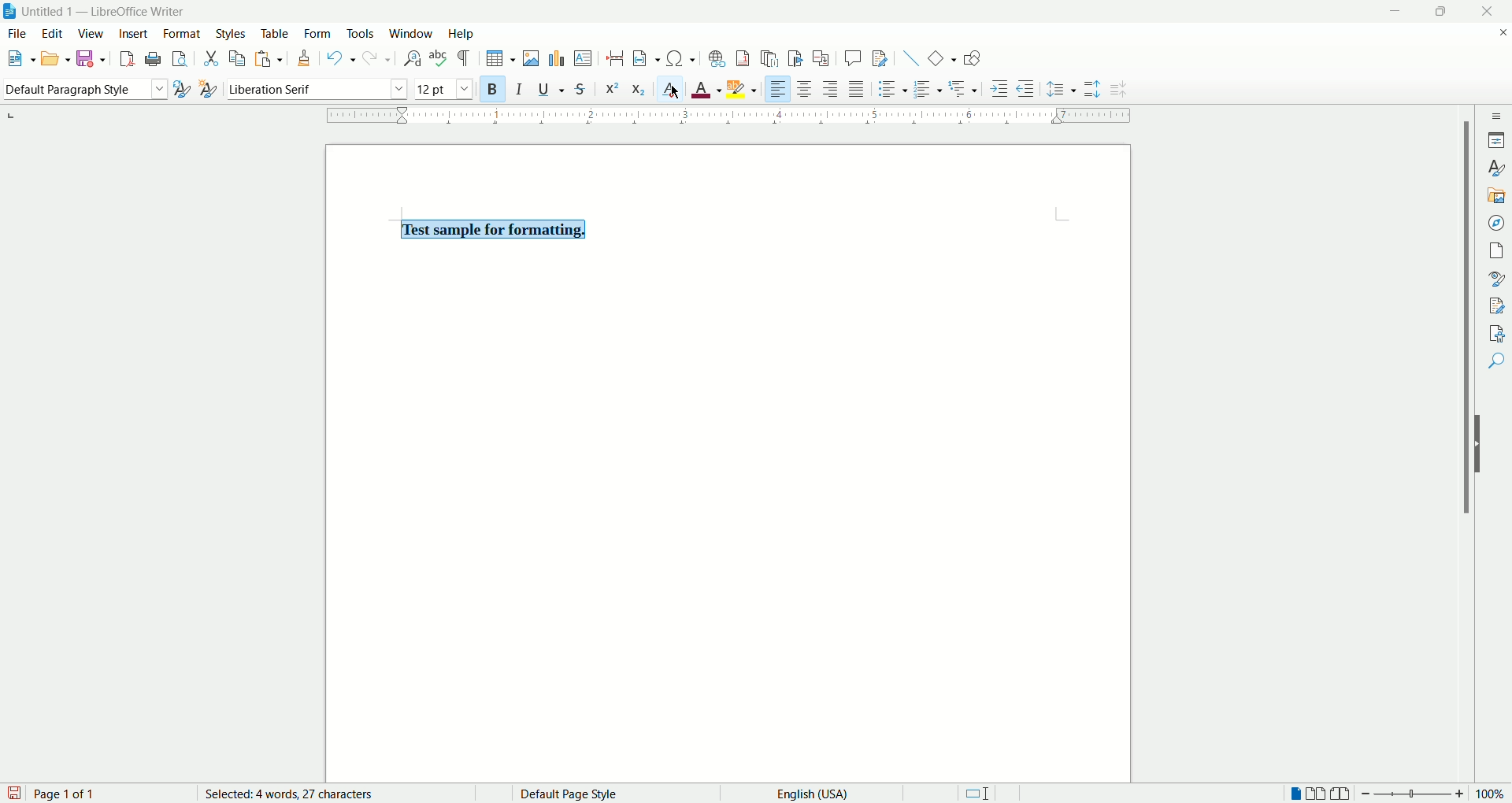 The width and height of the screenshot is (1512, 803). What do you see at coordinates (1496, 305) in the screenshot?
I see `manage changes` at bounding box center [1496, 305].